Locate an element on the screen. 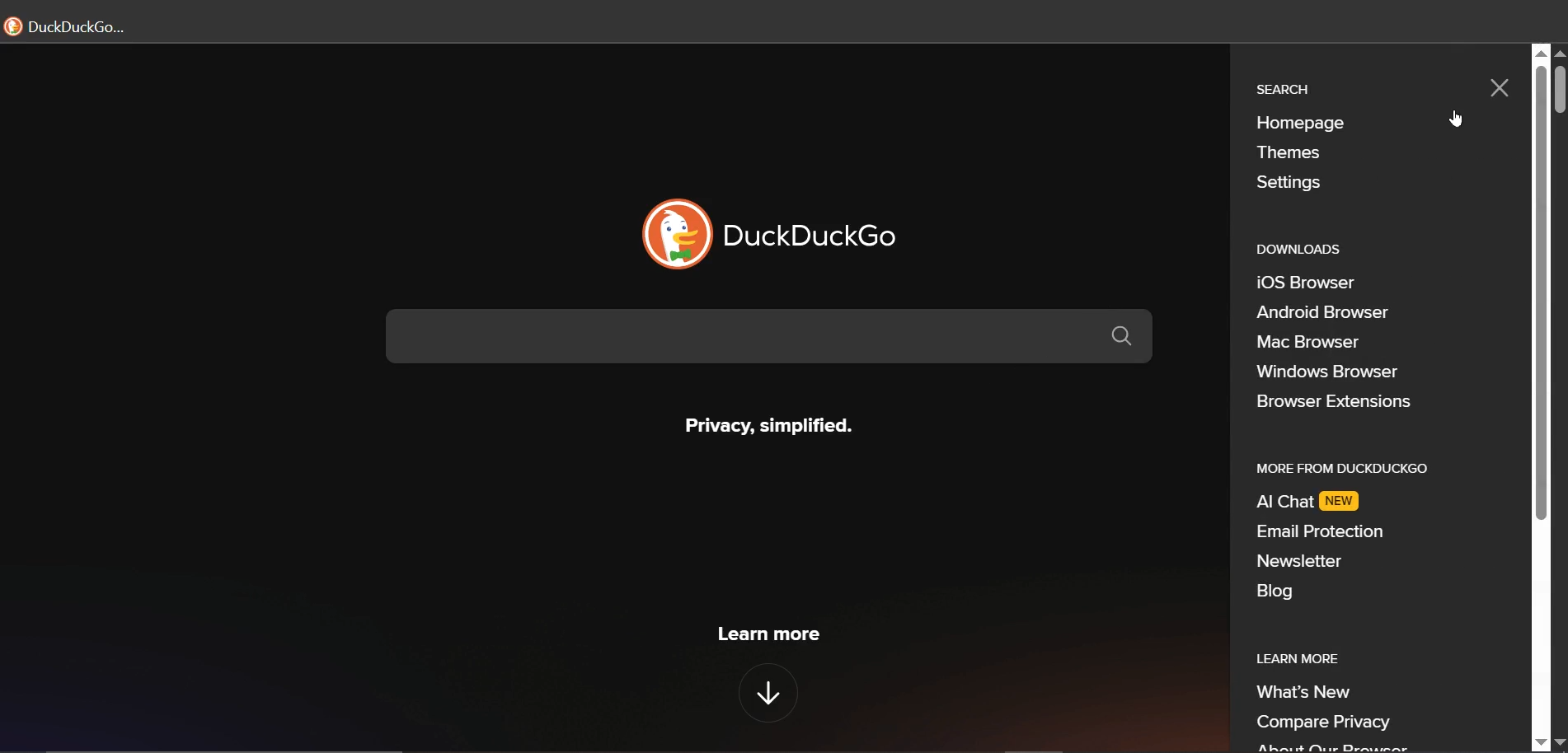 The width and height of the screenshot is (1568, 753). duckduckgo is located at coordinates (819, 233).